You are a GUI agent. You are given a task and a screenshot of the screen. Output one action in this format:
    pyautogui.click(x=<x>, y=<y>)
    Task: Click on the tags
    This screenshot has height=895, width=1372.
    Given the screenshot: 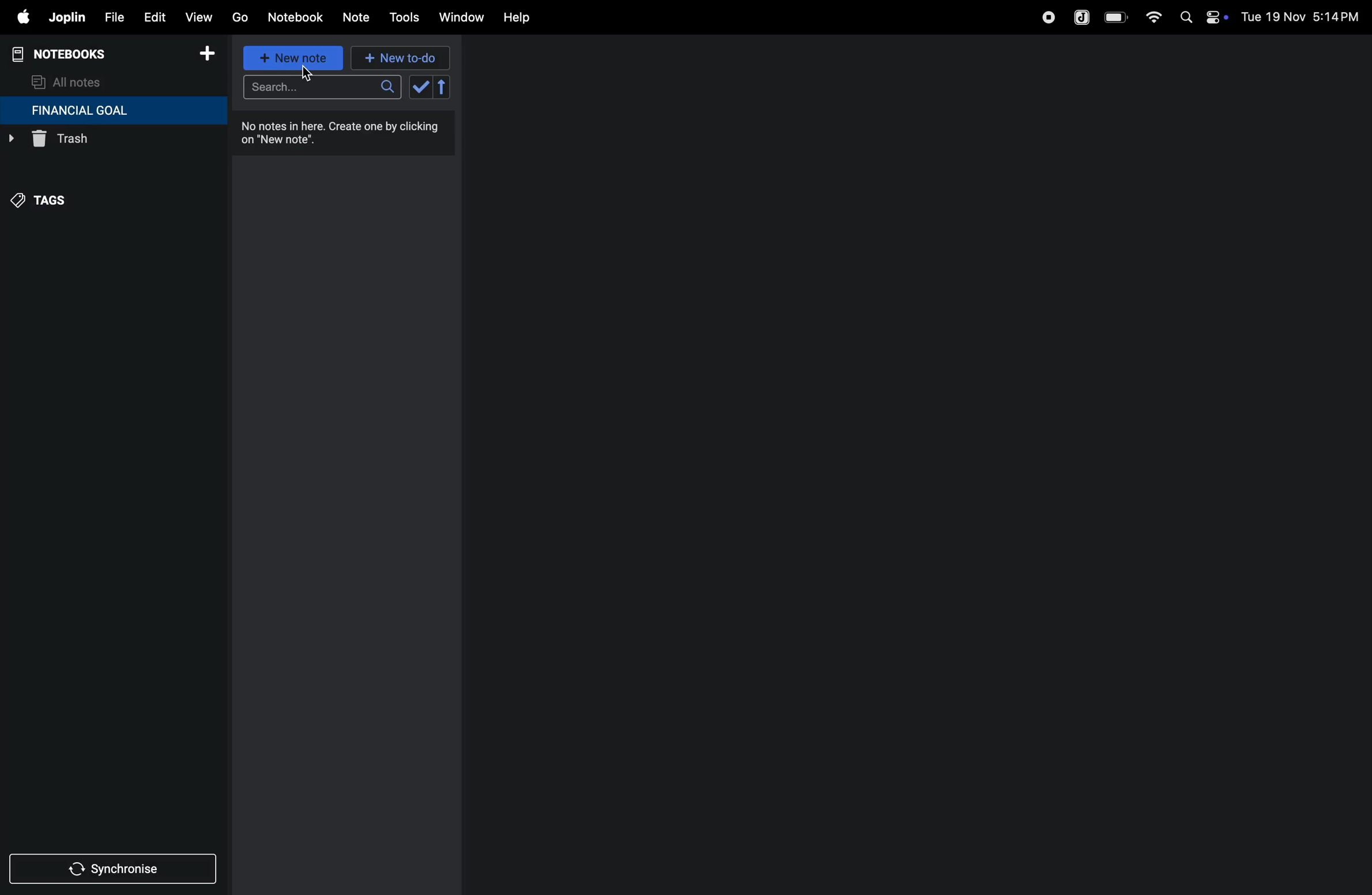 What is the action you would take?
    pyautogui.click(x=47, y=206)
    